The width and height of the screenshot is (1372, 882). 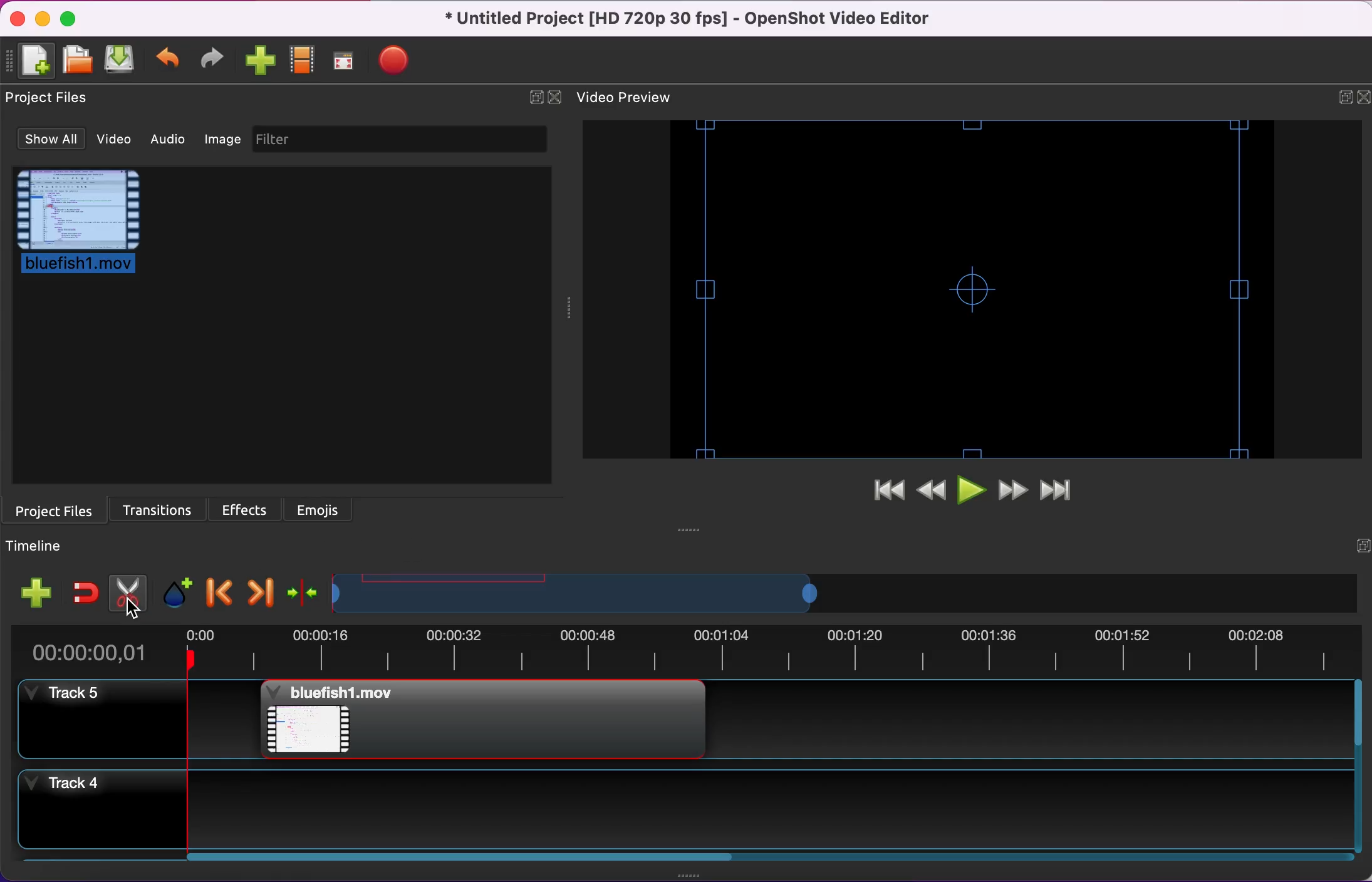 I want to click on center the timeline, so click(x=300, y=593).